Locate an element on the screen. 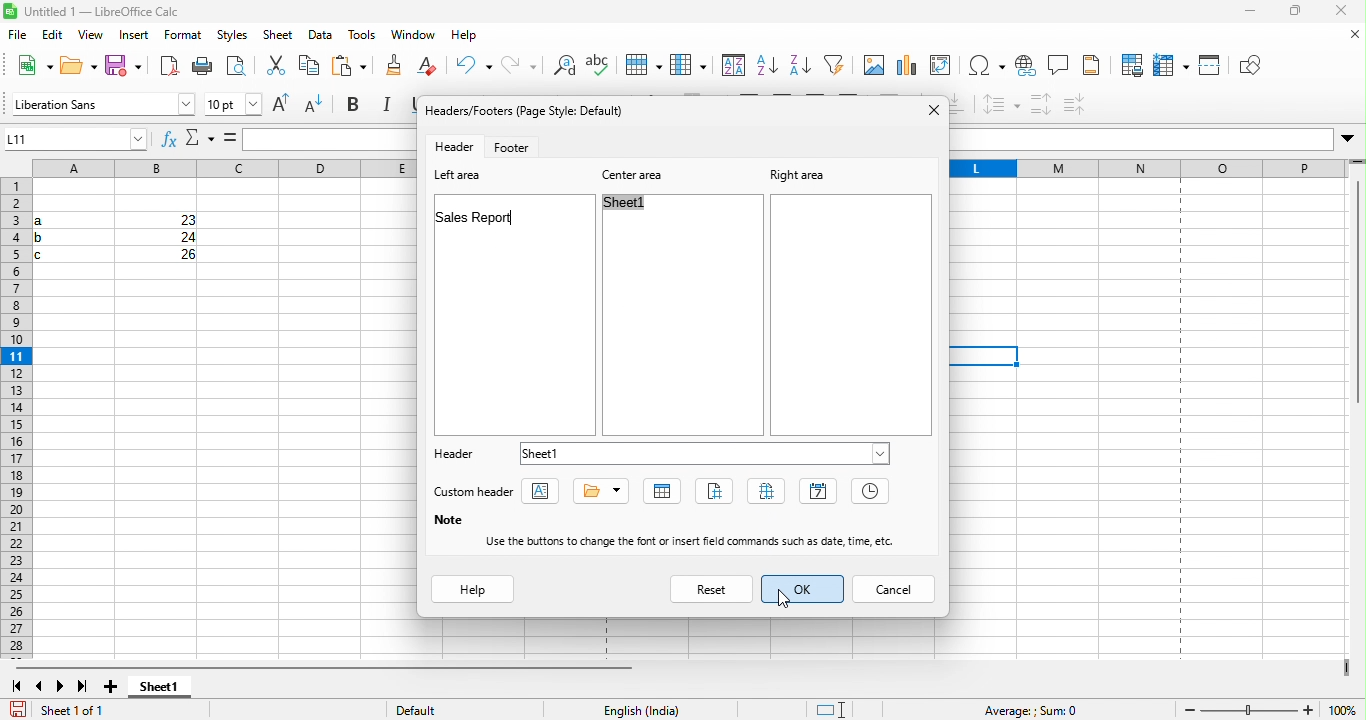 The height and width of the screenshot is (720, 1366). set line spacing  is located at coordinates (1002, 105).